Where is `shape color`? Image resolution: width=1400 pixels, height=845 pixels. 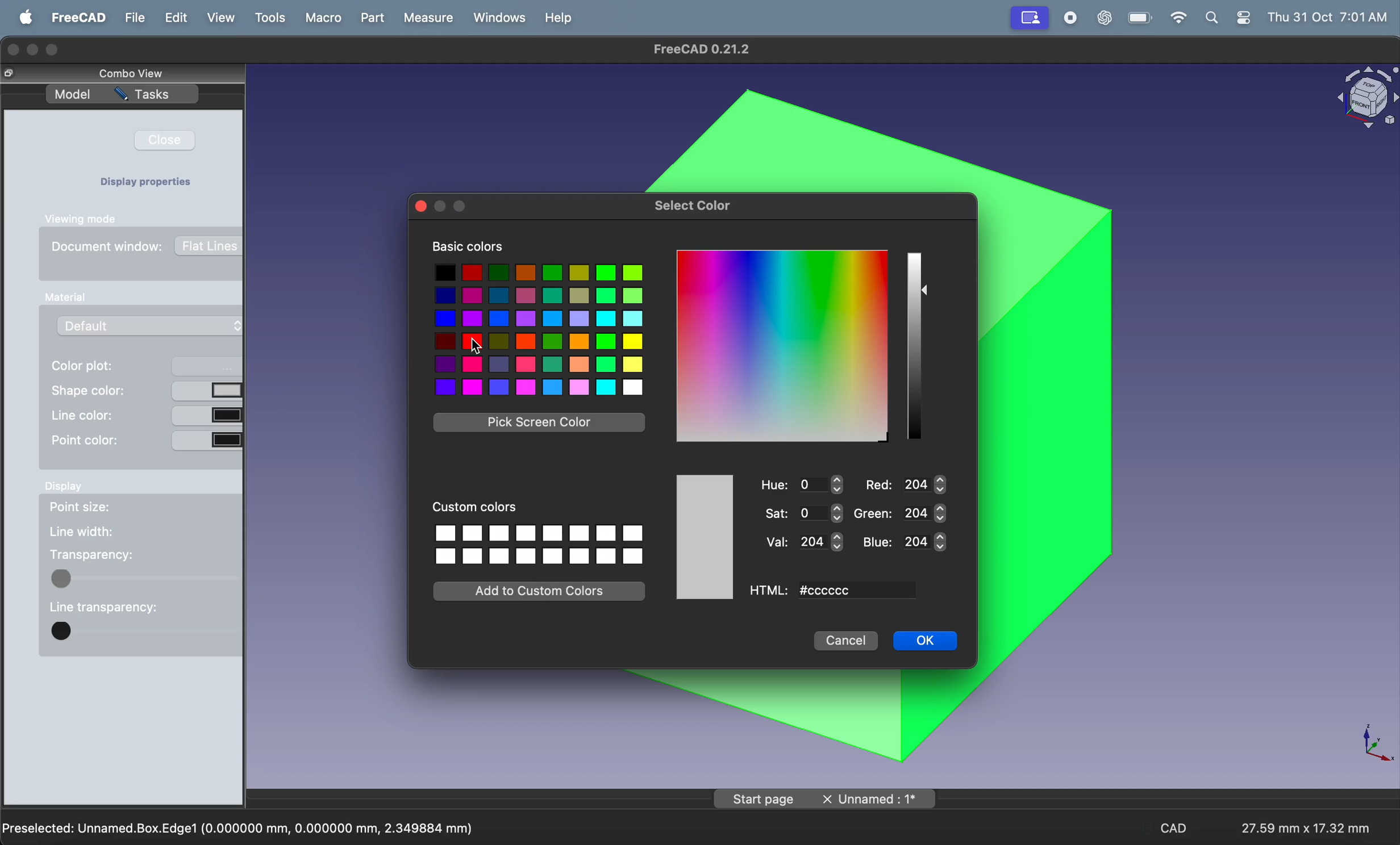 shape color is located at coordinates (147, 390).